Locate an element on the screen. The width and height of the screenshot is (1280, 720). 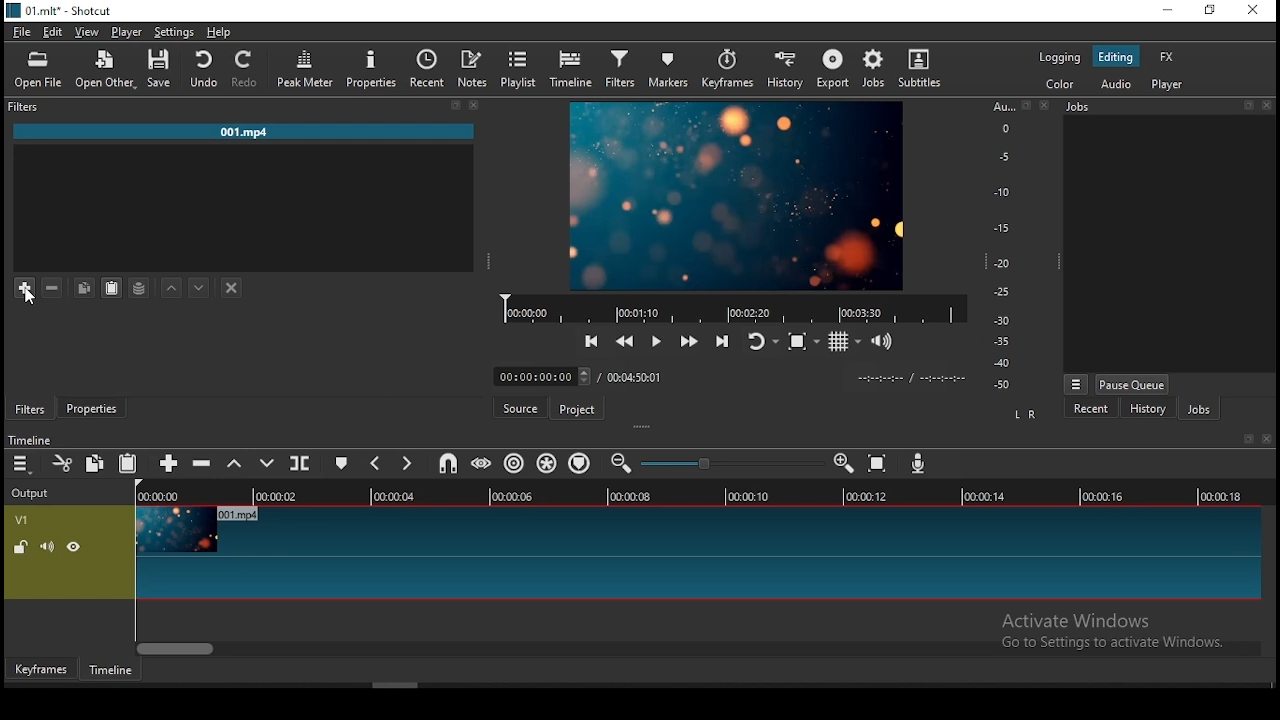
open file is located at coordinates (38, 71).